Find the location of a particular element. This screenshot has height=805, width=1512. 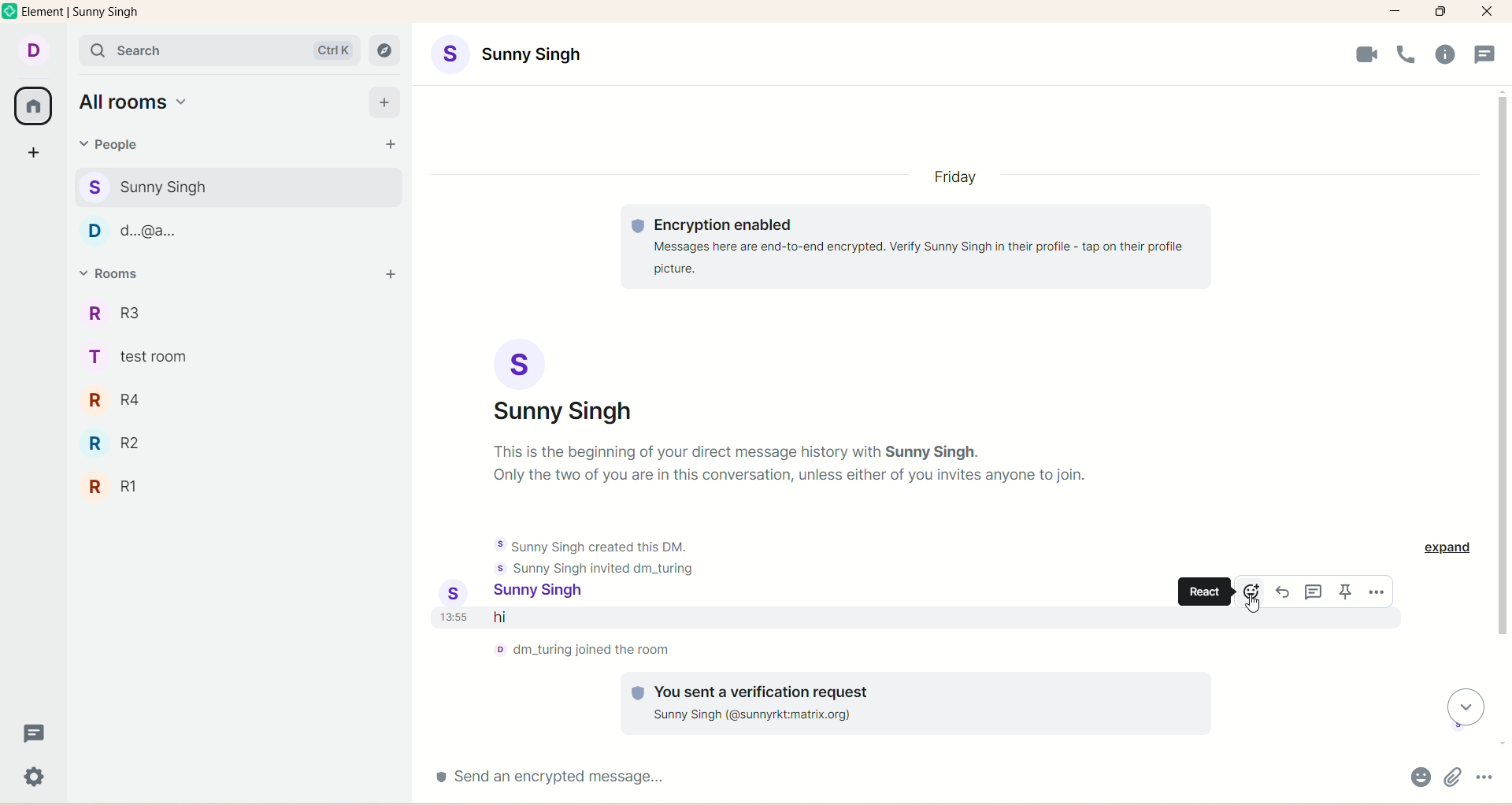

people is located at coordinates (106, 144).